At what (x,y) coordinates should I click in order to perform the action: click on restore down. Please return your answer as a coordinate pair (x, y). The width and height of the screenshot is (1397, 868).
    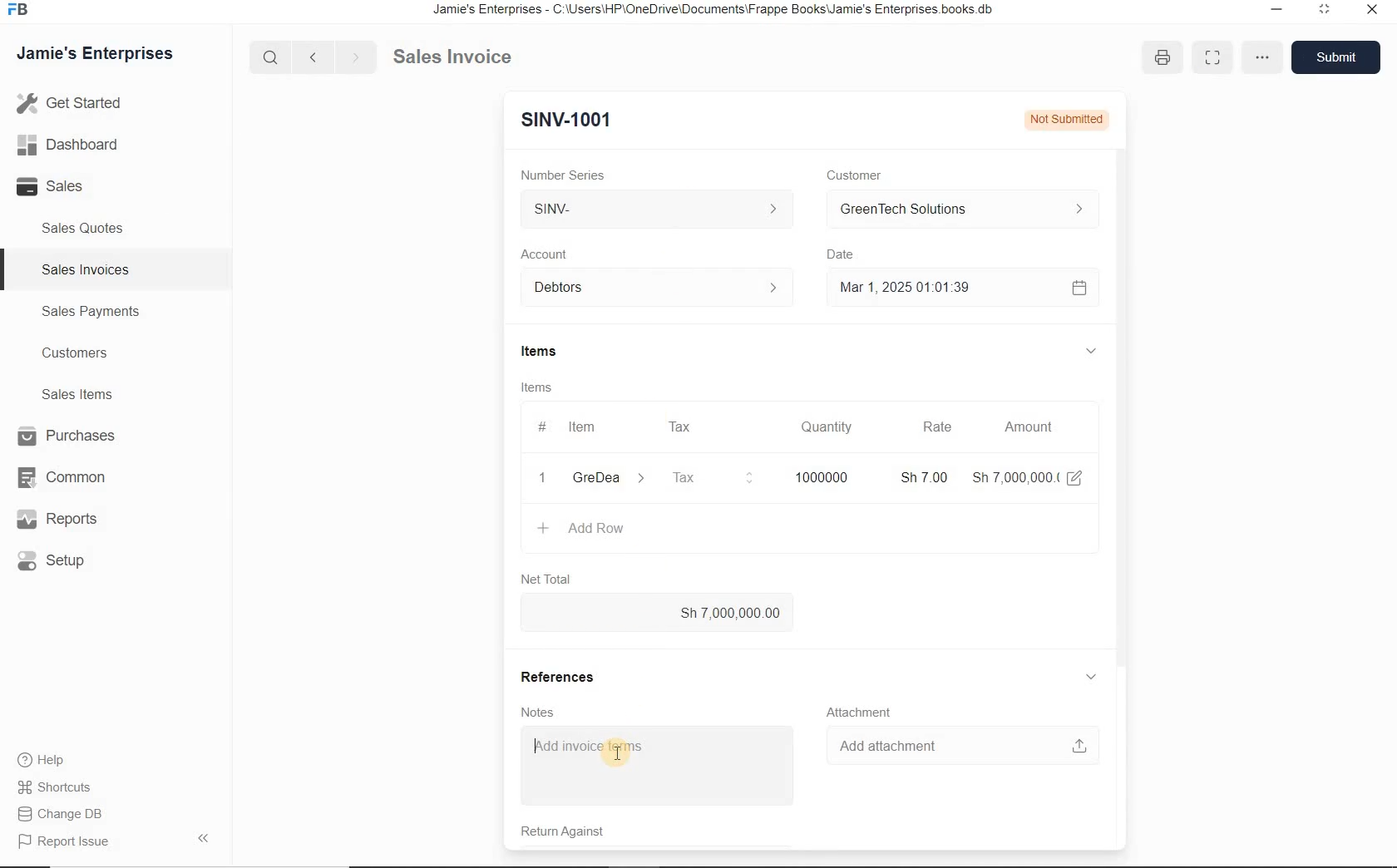
    Looking at the image, I should click on (1273, 11).